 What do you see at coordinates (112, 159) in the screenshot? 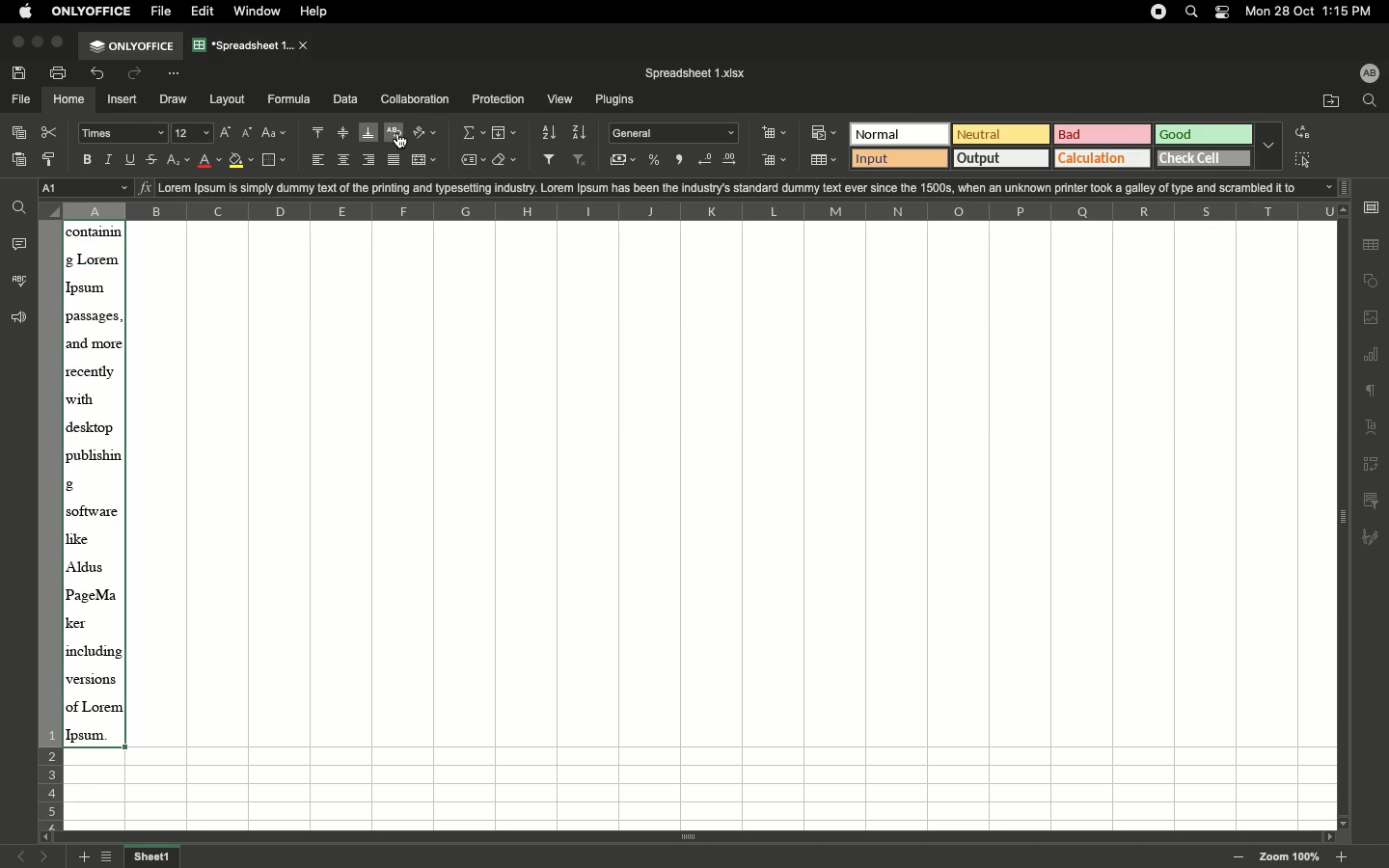
I see `Italics` at bounding box center [112, 159].